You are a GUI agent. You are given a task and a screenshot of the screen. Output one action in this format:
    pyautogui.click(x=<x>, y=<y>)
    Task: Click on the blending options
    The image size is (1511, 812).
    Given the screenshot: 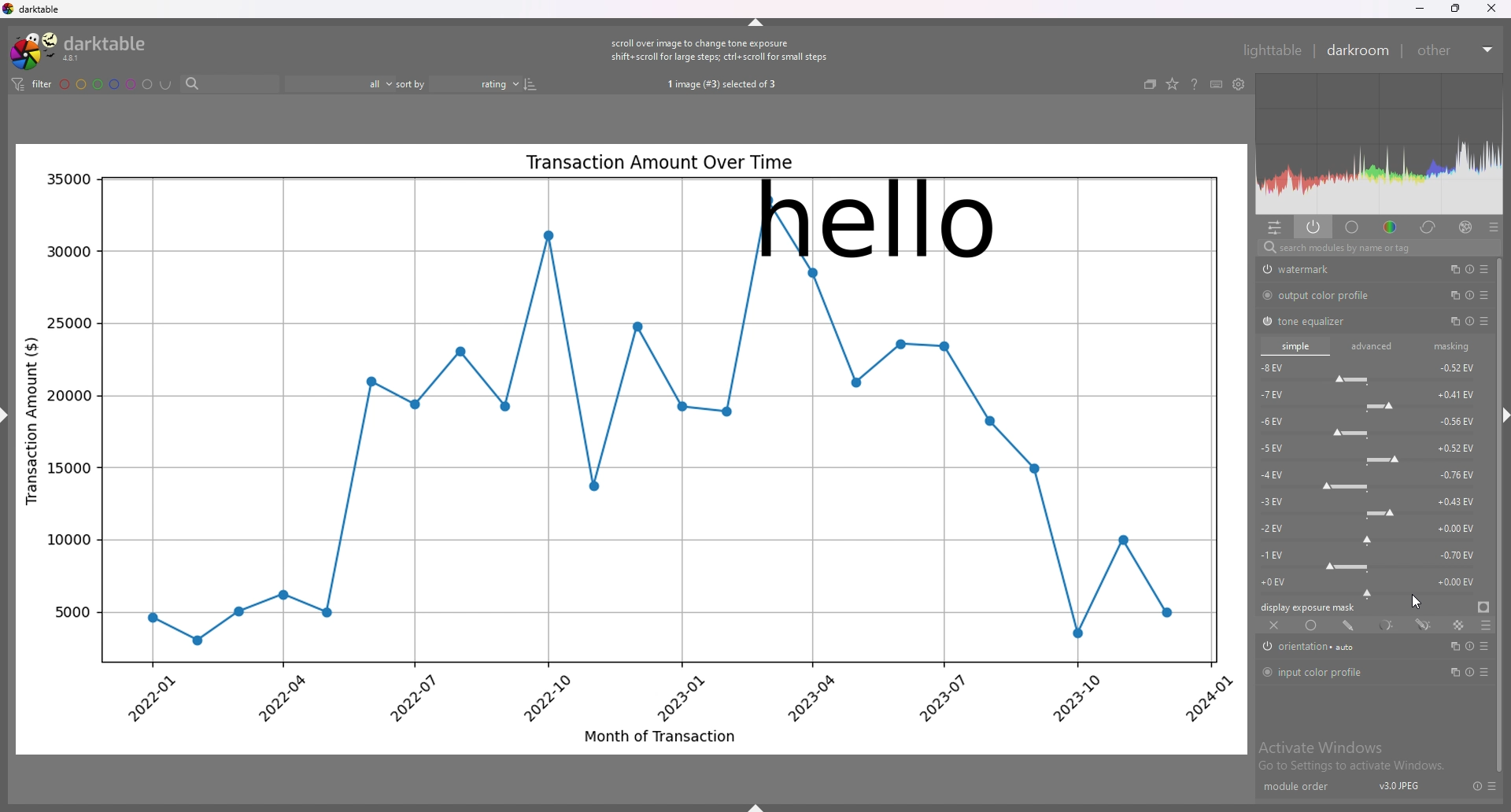 What is the action you would take?
    pyautogui.click(x=1484, y=625)
    